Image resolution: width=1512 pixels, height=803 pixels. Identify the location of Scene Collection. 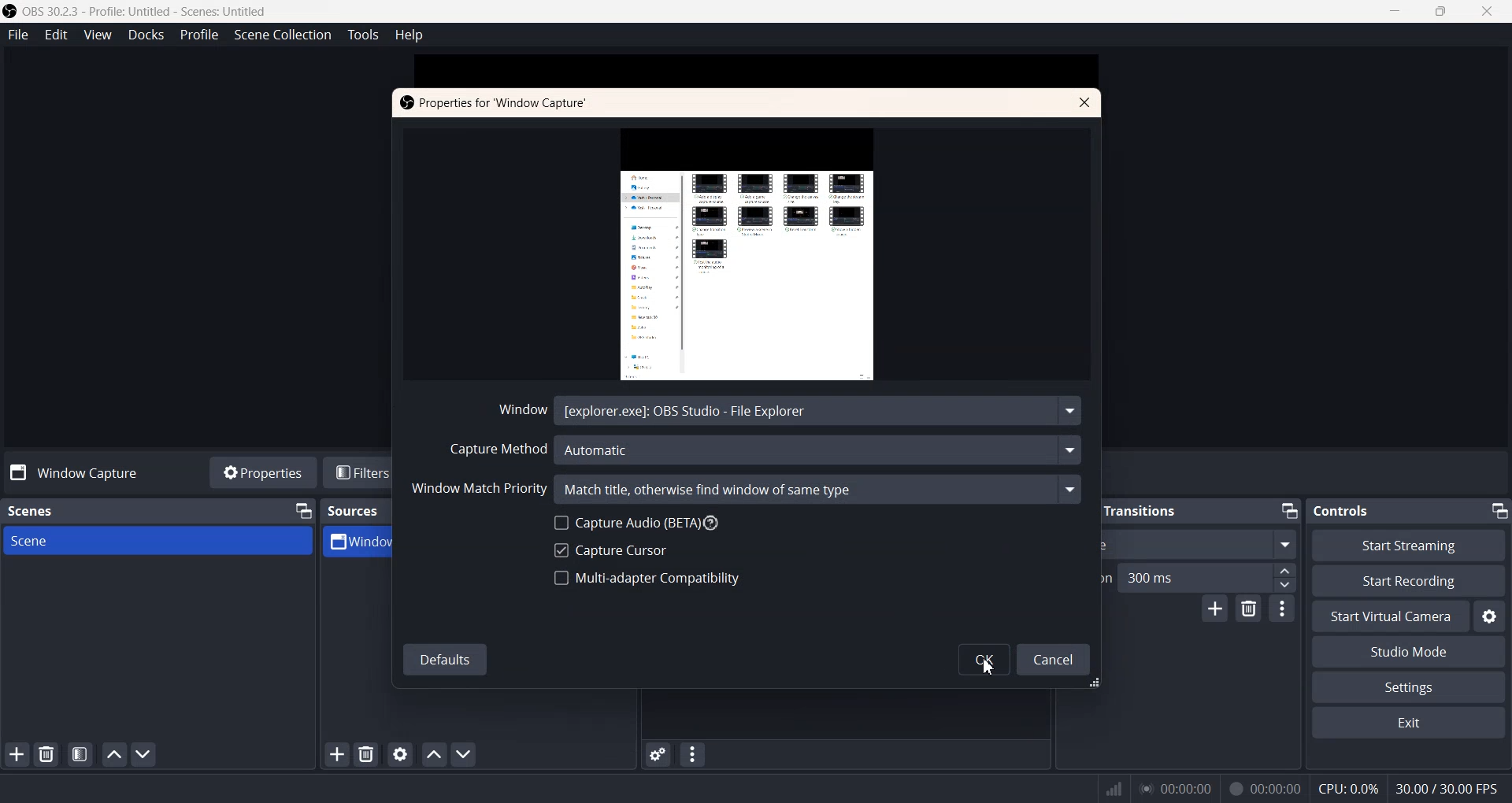
(281, 35).